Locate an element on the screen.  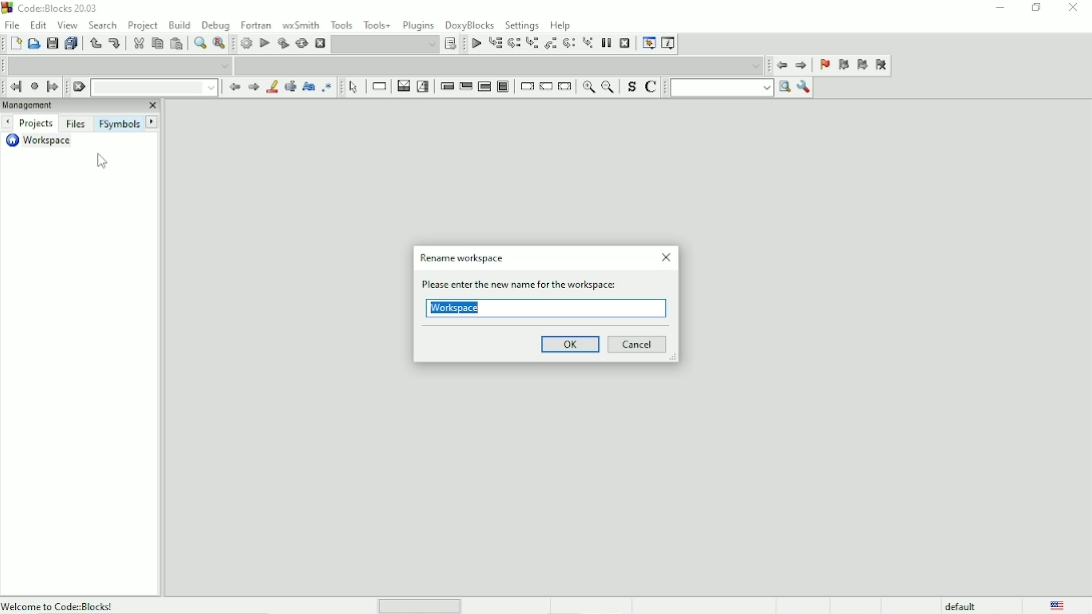
Build is located at coordinates (245, 44).